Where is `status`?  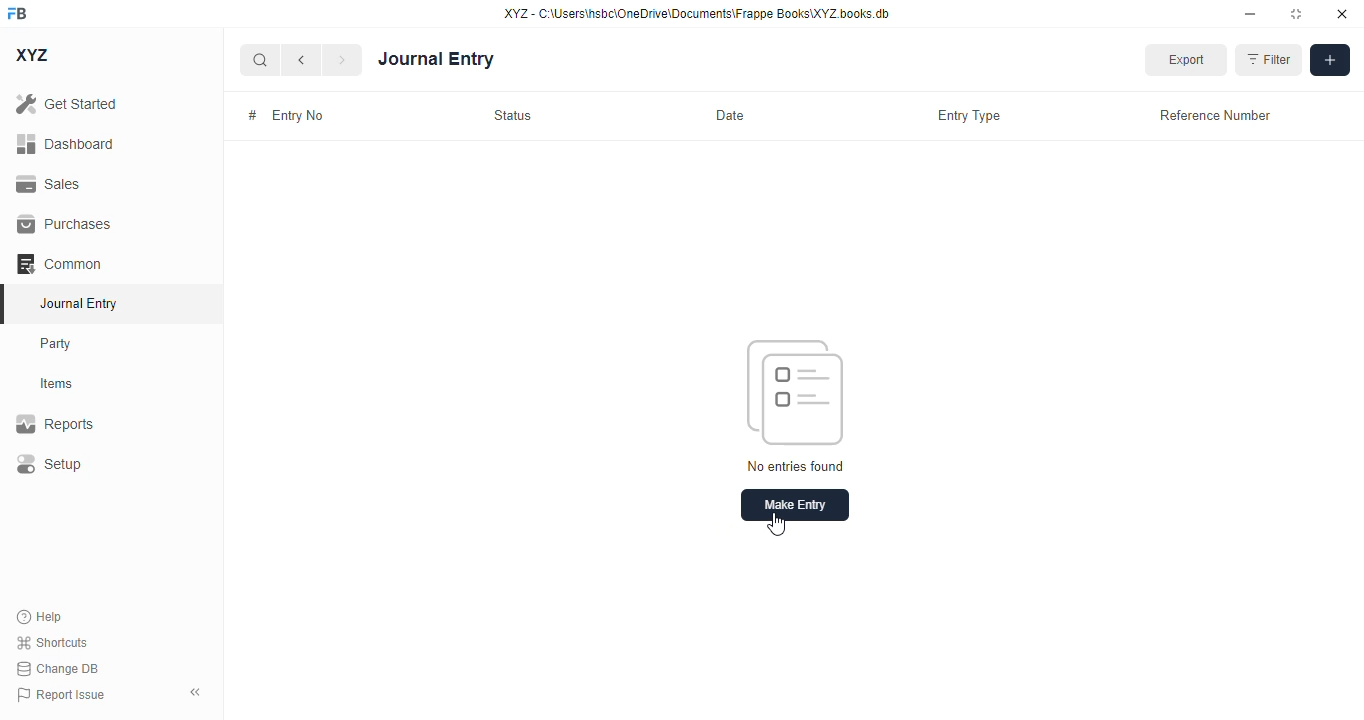
status is located at coordinates (512, 116).